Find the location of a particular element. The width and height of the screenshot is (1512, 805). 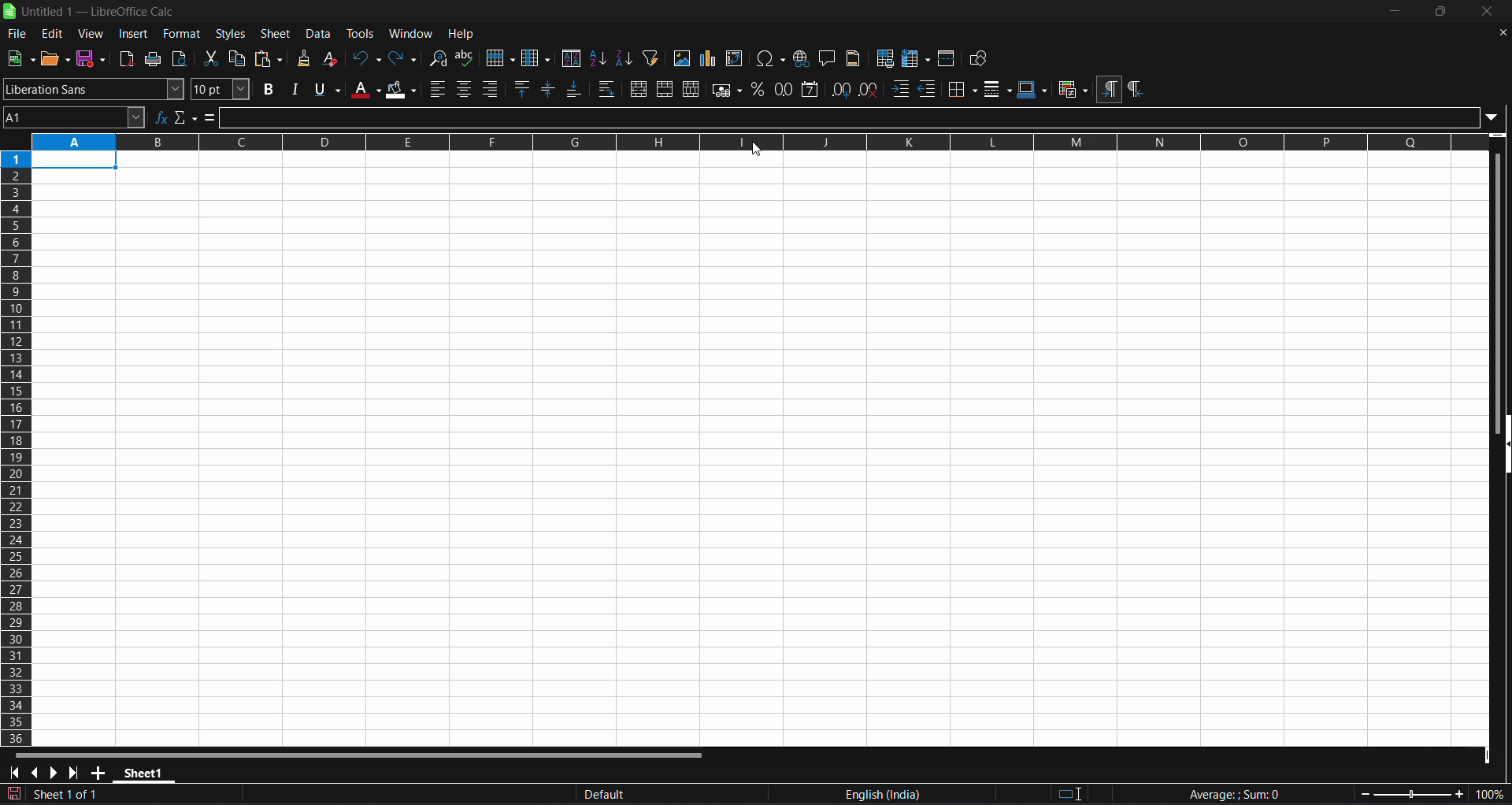

file is located at coordinates (18, 35).